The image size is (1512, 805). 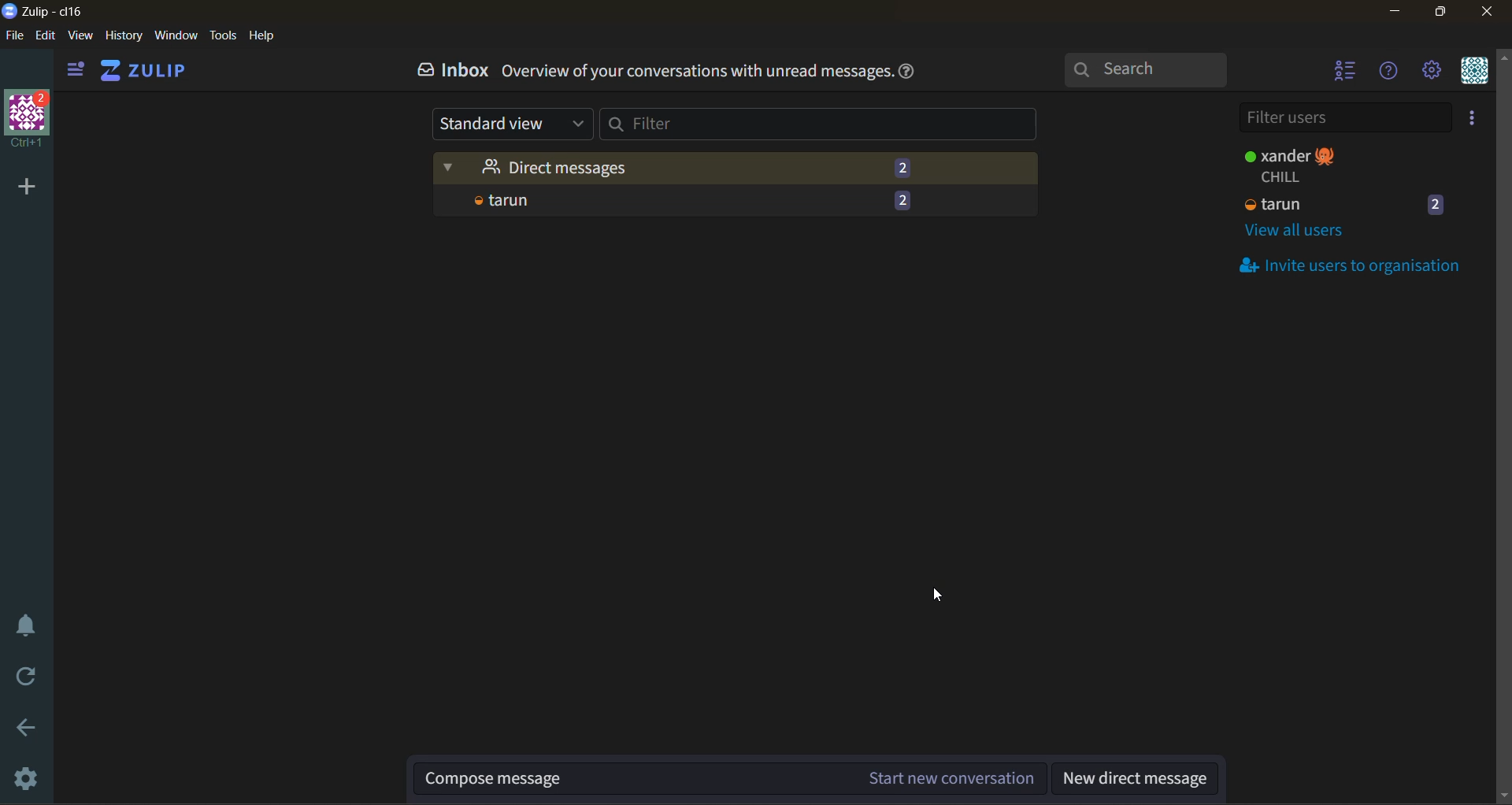 What do you see at coordinates (1392, 75) in the screenshot?
I see `help menu` at bounding box center [1392, 75].